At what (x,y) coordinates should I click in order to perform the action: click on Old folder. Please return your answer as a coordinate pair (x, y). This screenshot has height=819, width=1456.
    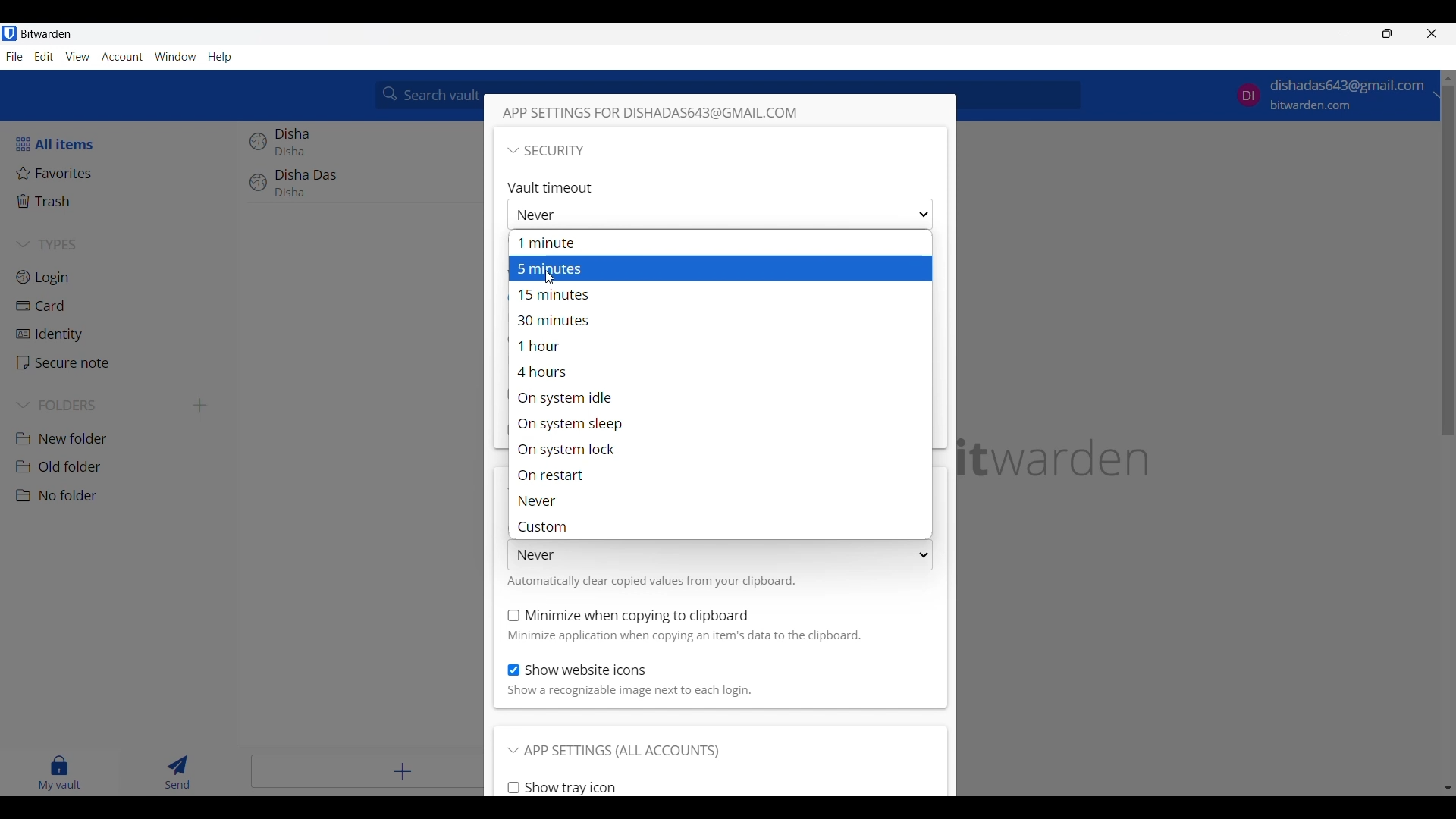
    Looking at the image, I should click on (121, 466).